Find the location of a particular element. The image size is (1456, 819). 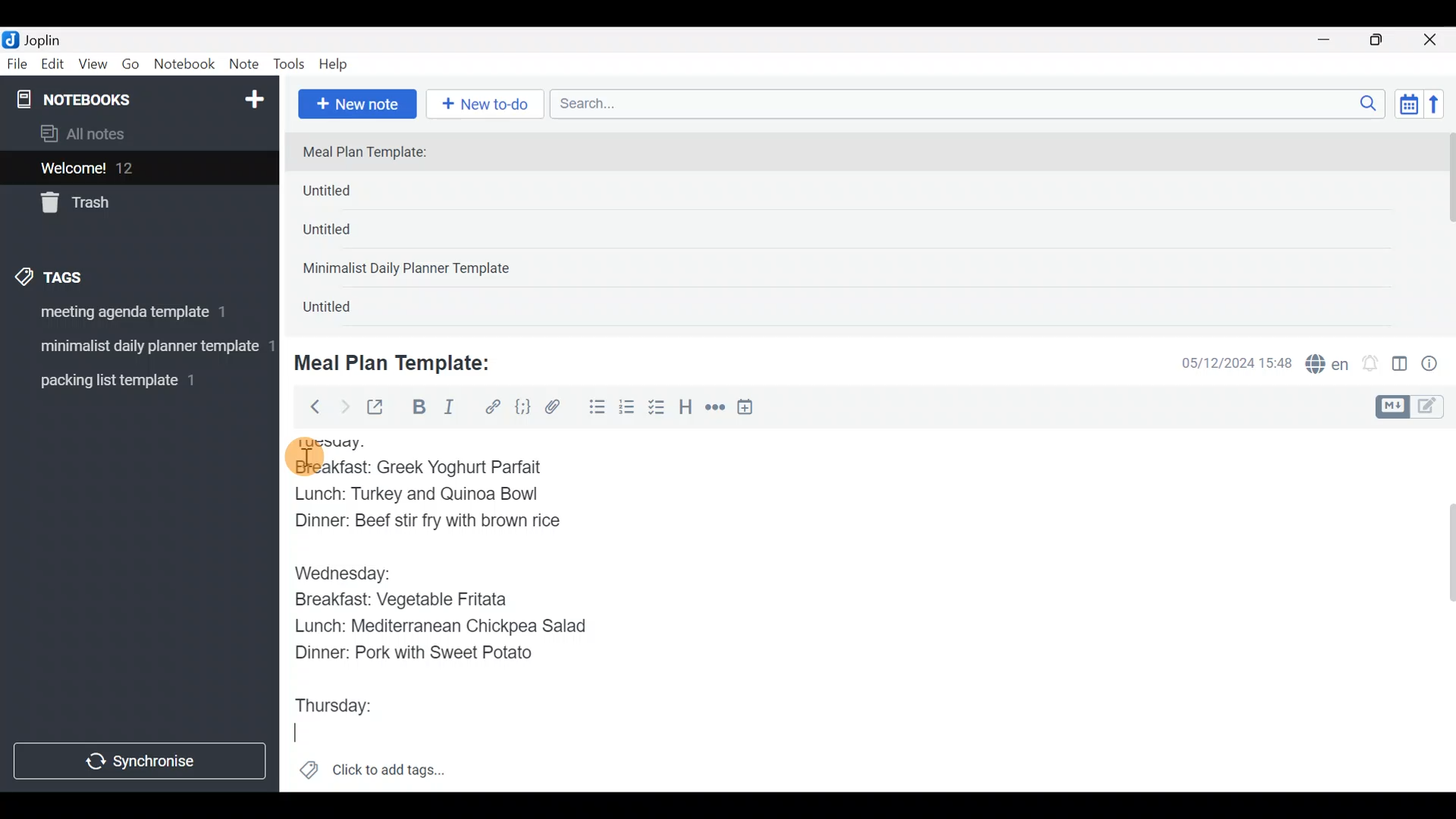

All notes is located at coordinates (136, 135).